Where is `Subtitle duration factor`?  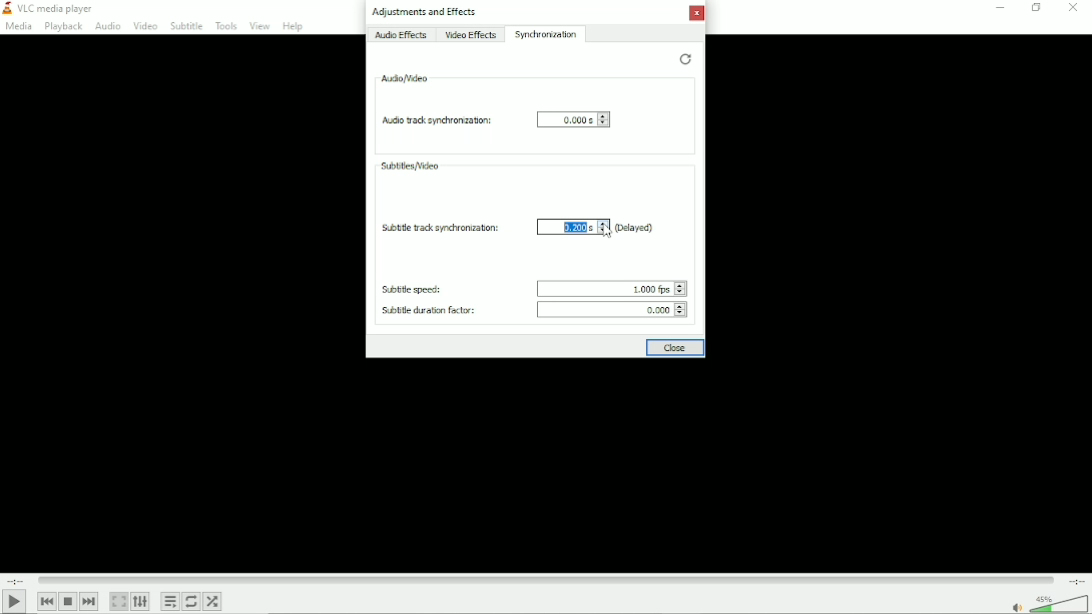 Subtitle duration factor is located at coordinates (426, 311).